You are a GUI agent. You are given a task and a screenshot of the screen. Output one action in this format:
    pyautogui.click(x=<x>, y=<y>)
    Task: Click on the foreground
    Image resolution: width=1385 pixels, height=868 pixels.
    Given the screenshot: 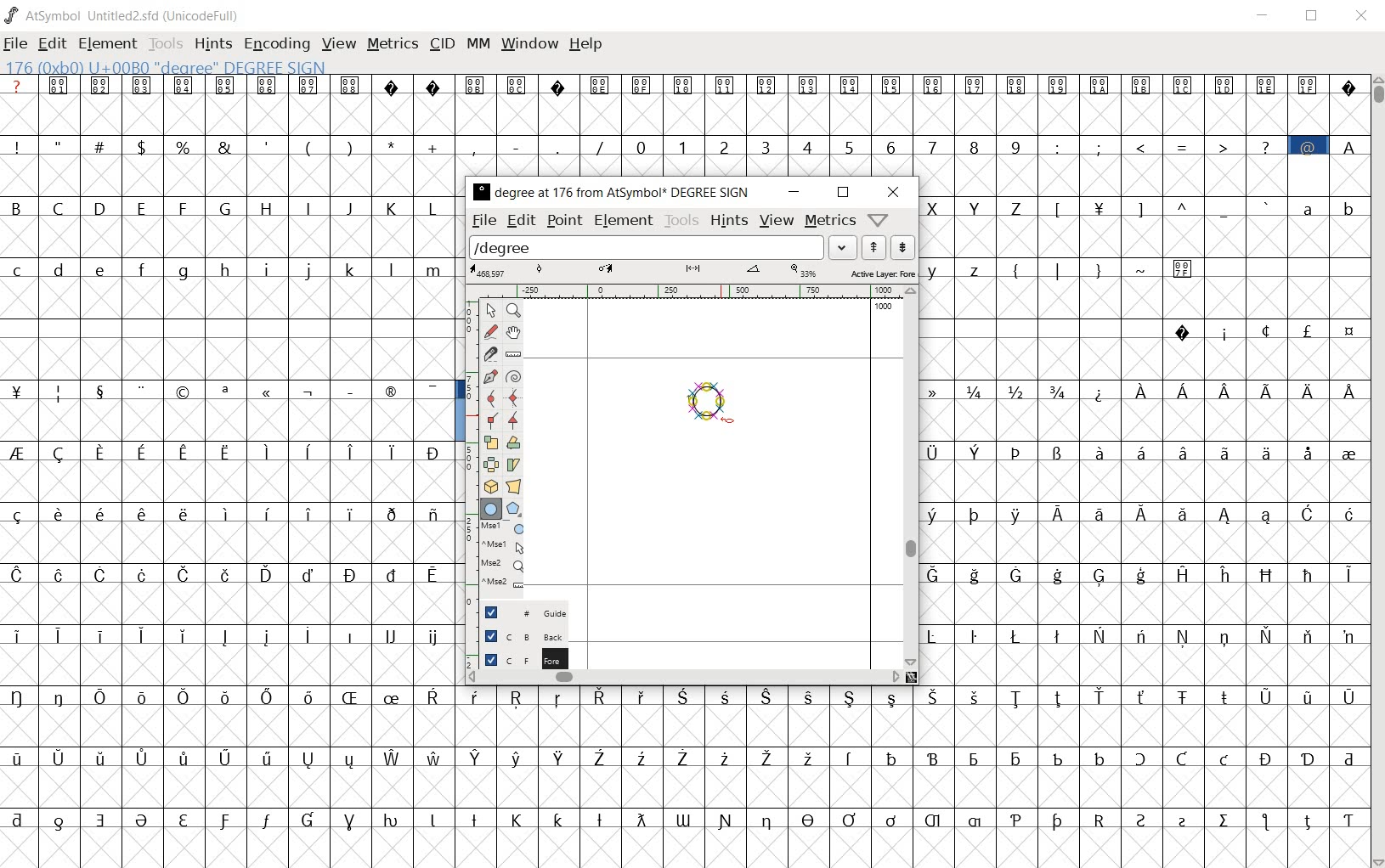 What is the action you would take?
    pyautogui.click(x=516, y=661)
    